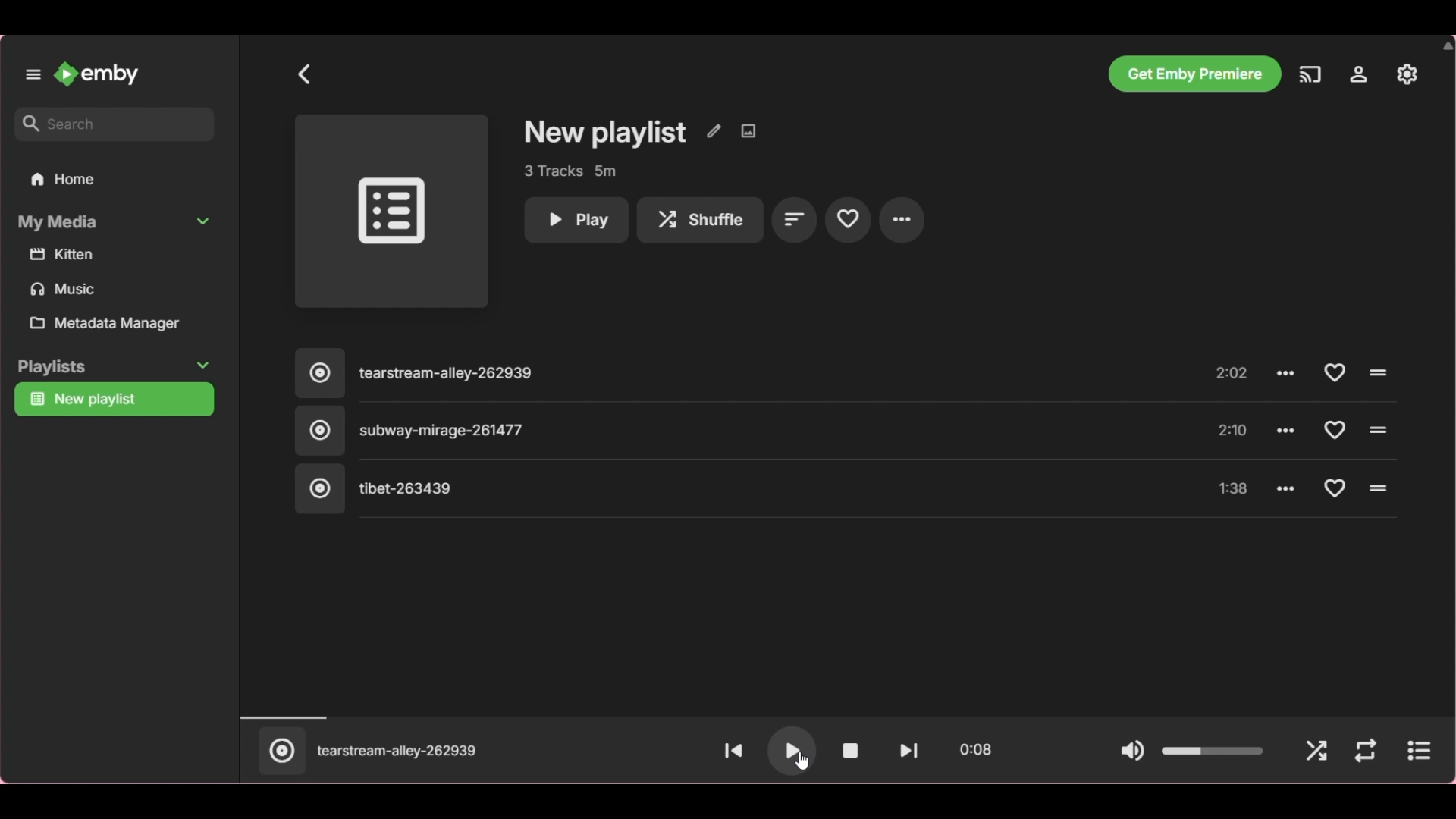  I want to click on Change volume of song, so click(1213, 751).